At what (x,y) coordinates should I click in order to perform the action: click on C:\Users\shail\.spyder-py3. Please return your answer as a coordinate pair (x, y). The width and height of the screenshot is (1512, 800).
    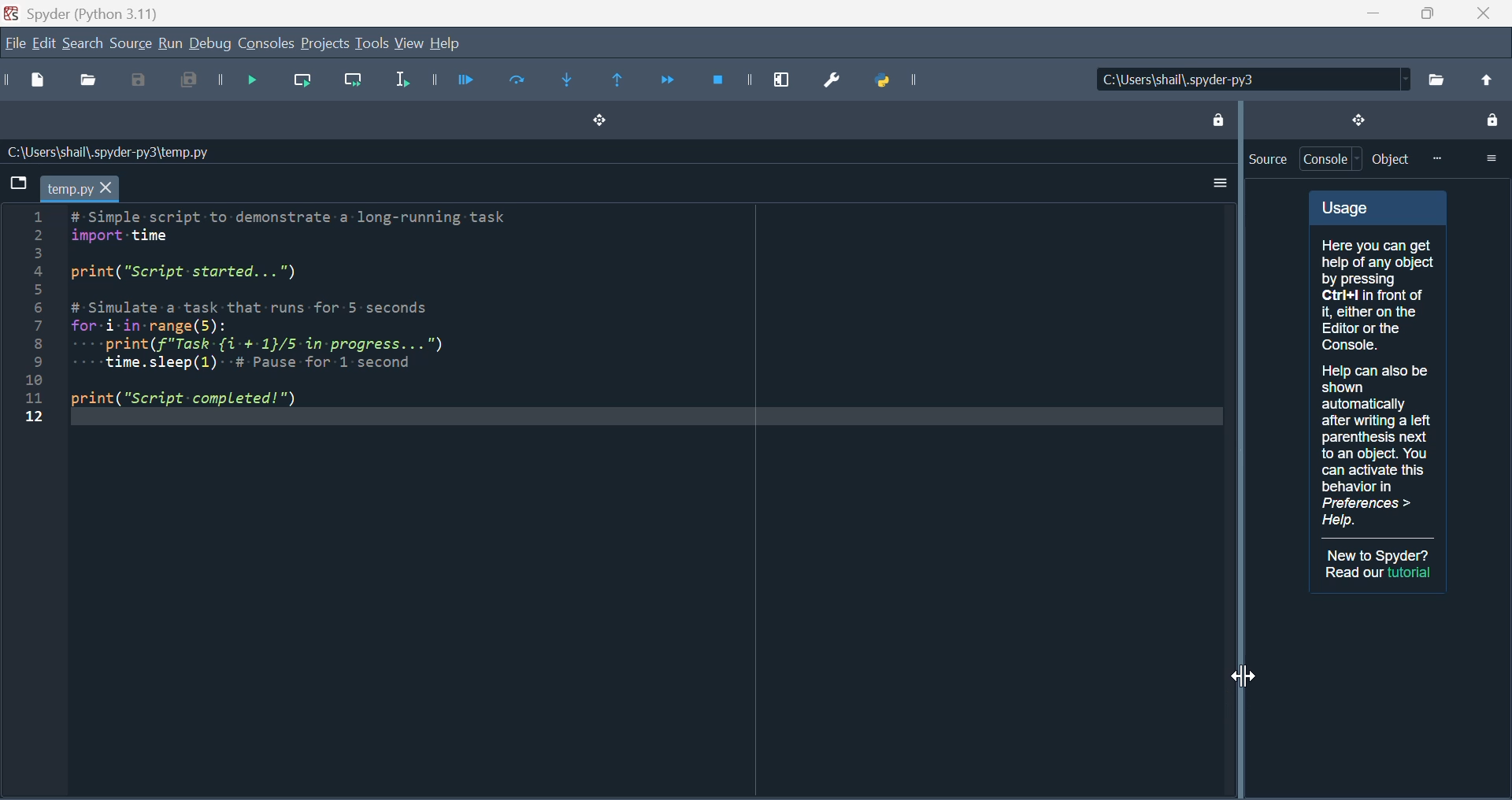
    Looking at the image, I should click on (1249, 80).